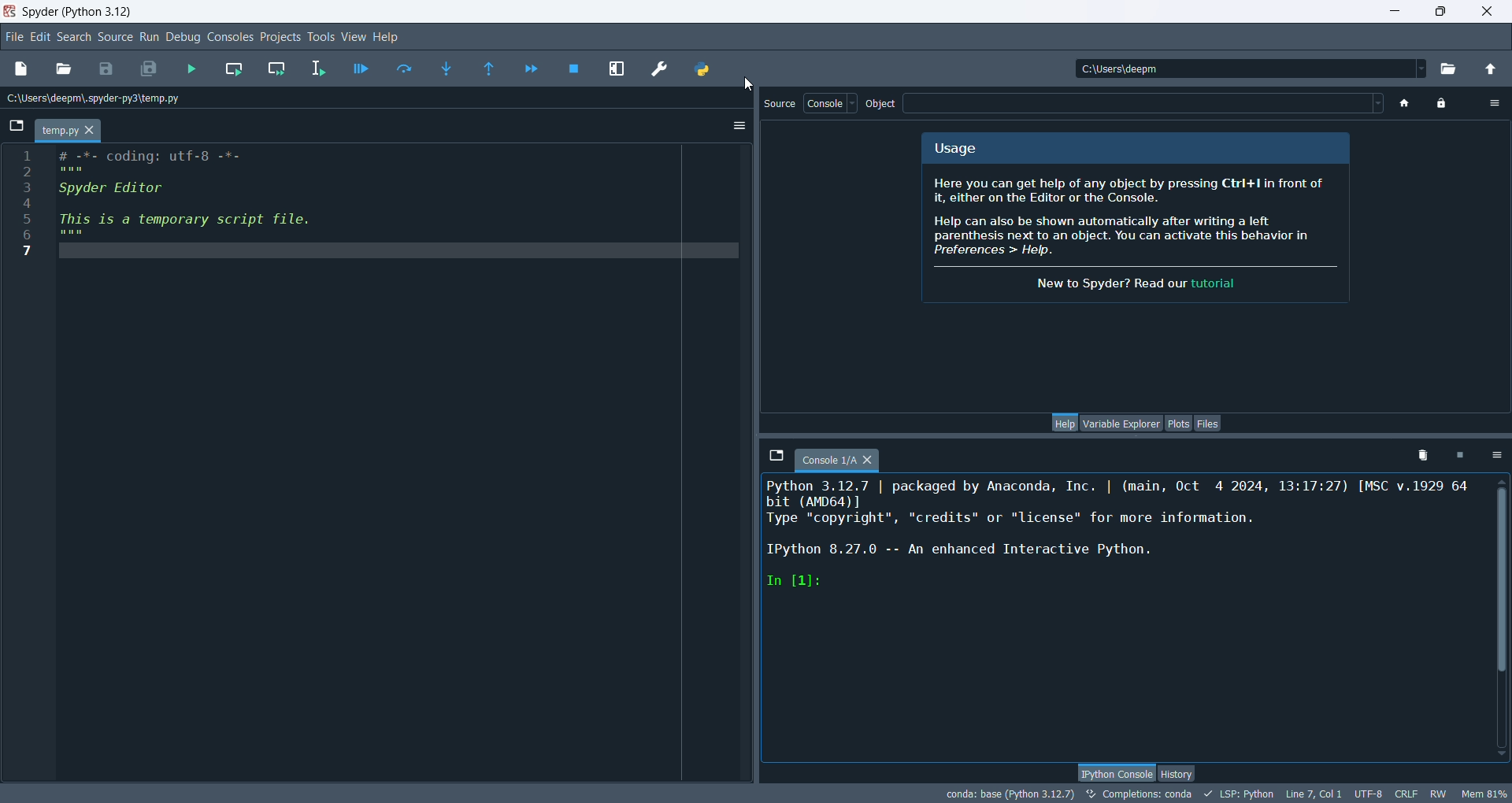  I want to click on logo, so click(10, 12).